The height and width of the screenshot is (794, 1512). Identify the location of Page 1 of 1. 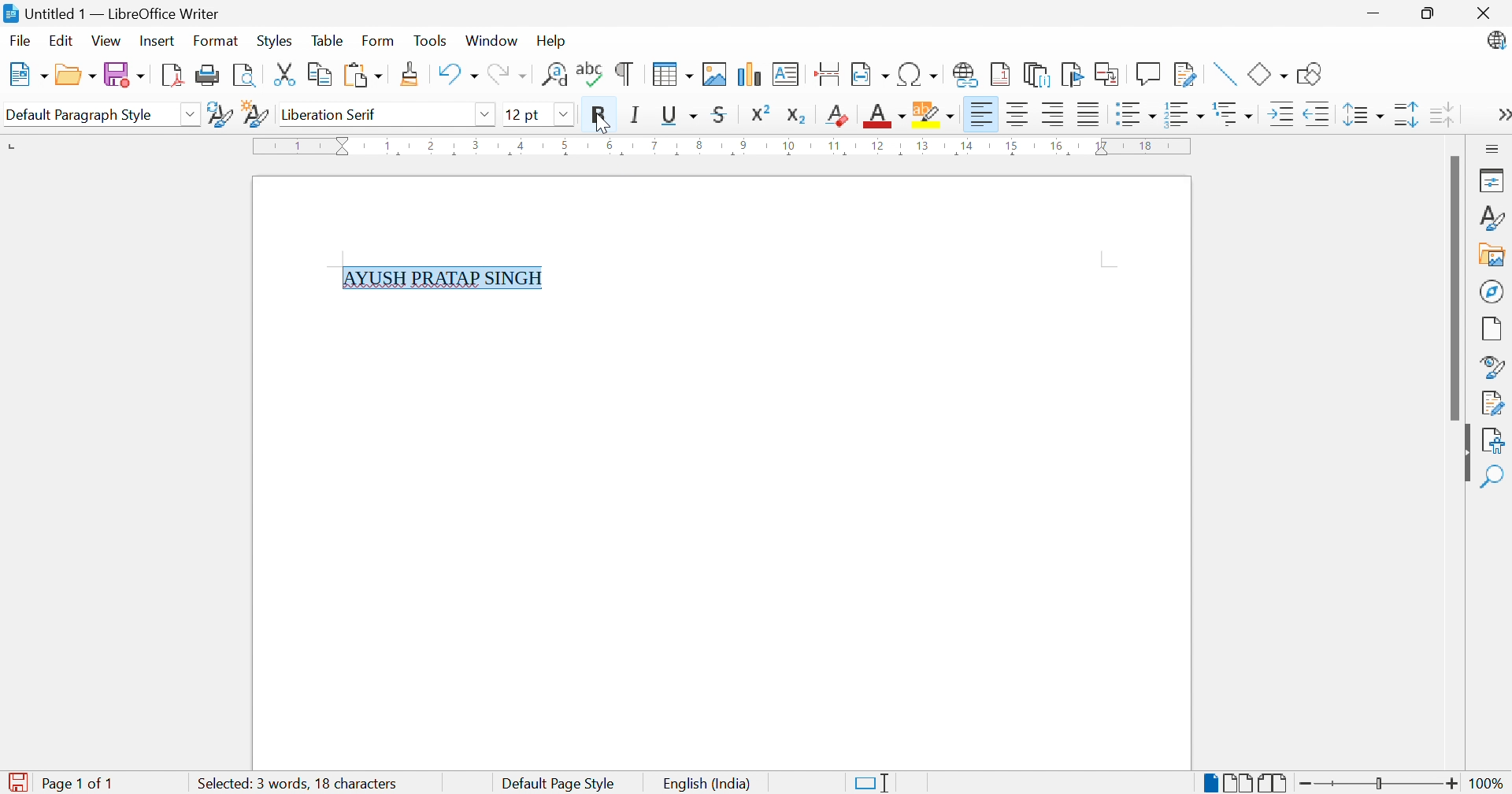
(82, 783).